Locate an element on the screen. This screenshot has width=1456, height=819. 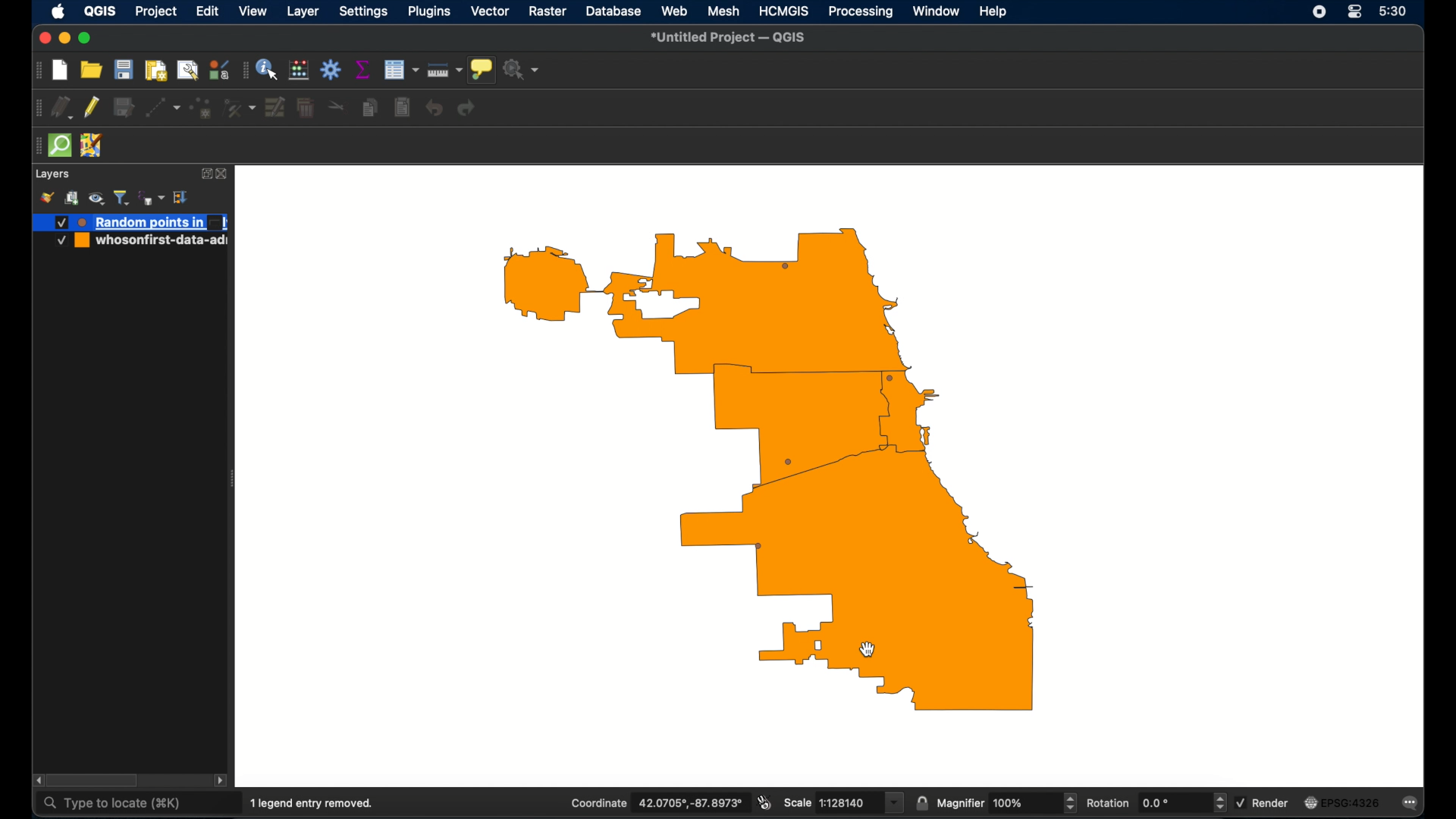
open project is located at coordinates (92, 69).